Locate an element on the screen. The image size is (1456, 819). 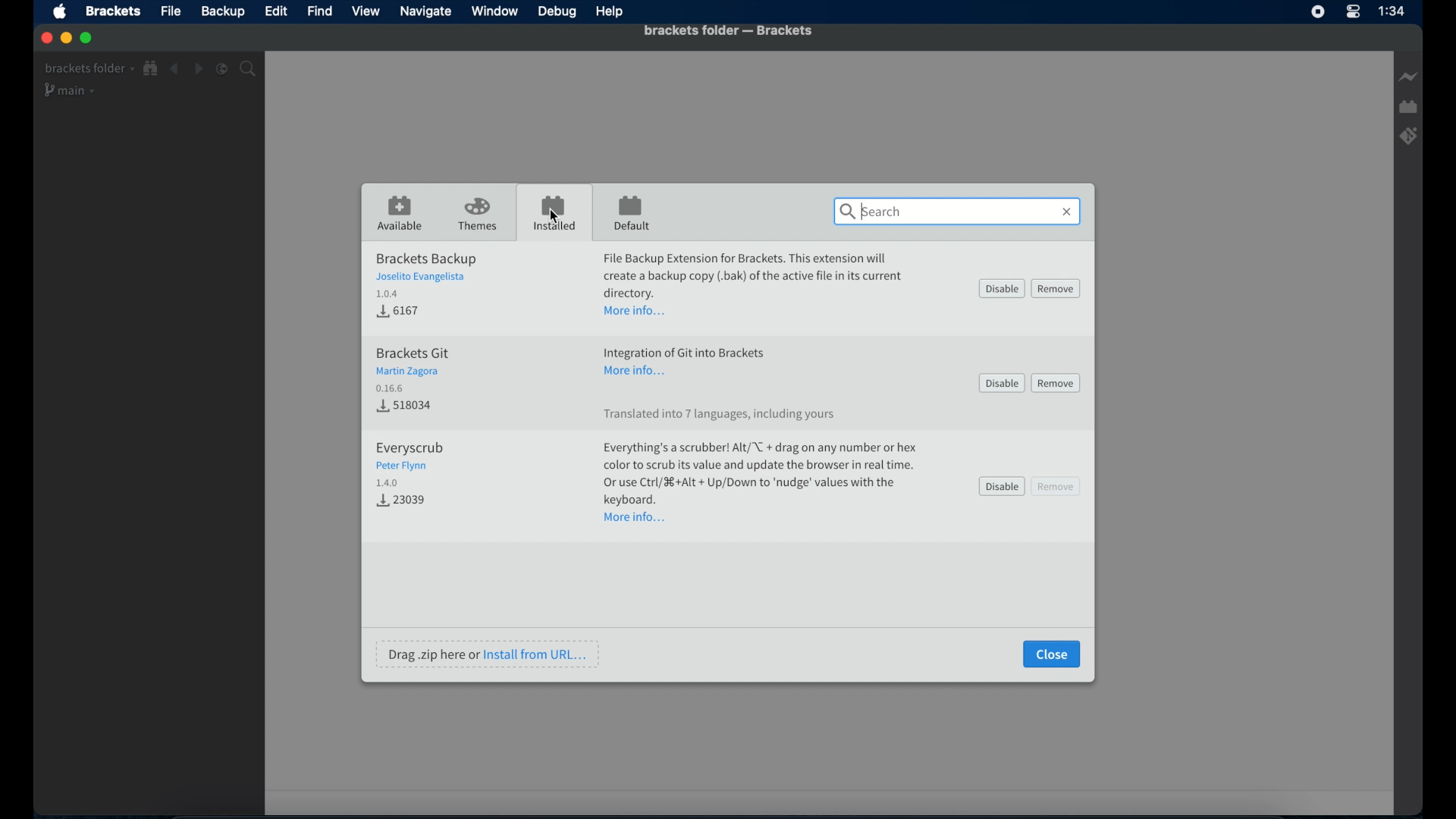
Debug is located at coordinates (557, 11).